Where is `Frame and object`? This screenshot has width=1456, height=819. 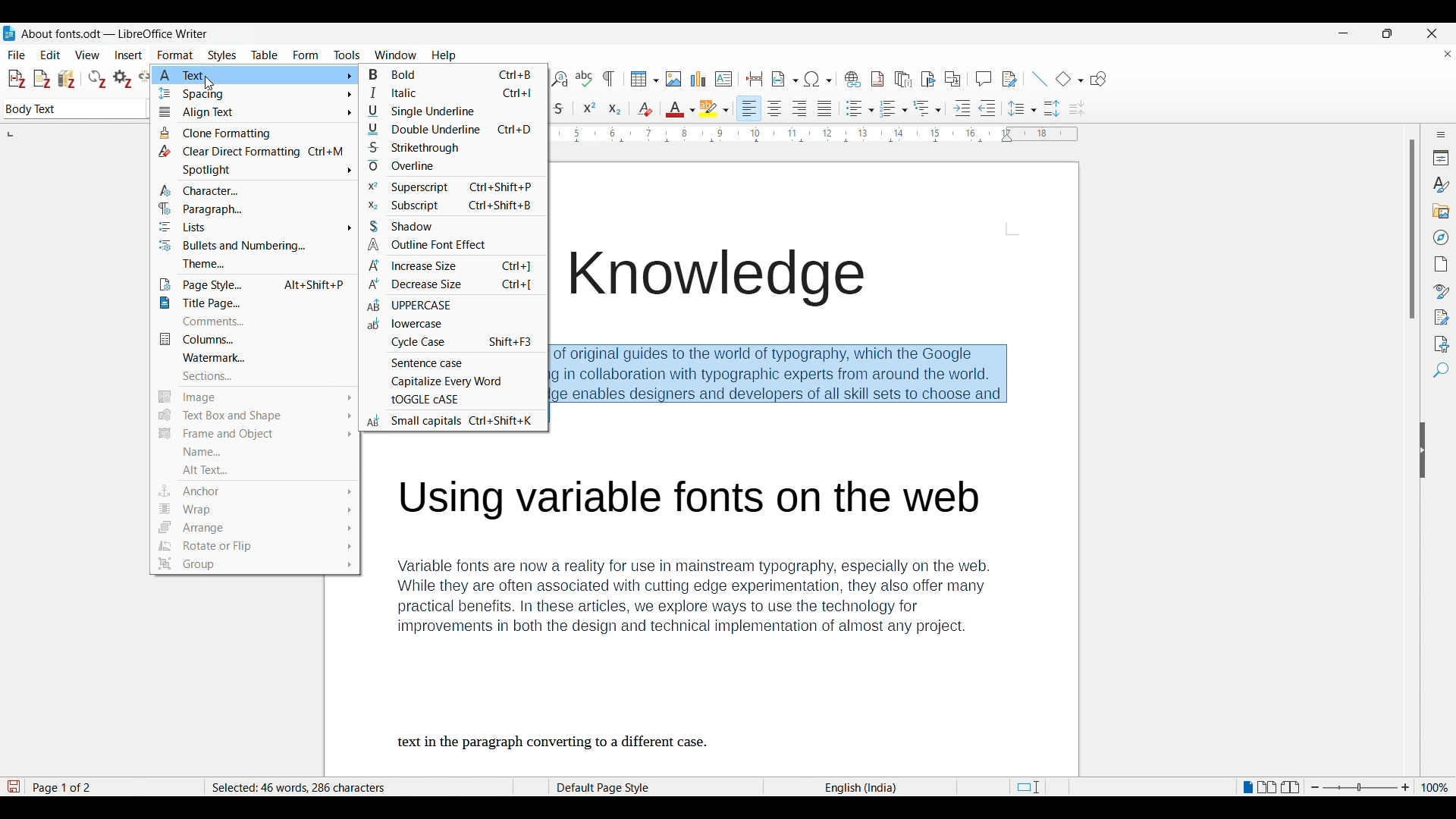
Frame and object is located at coordinates (255, 437).